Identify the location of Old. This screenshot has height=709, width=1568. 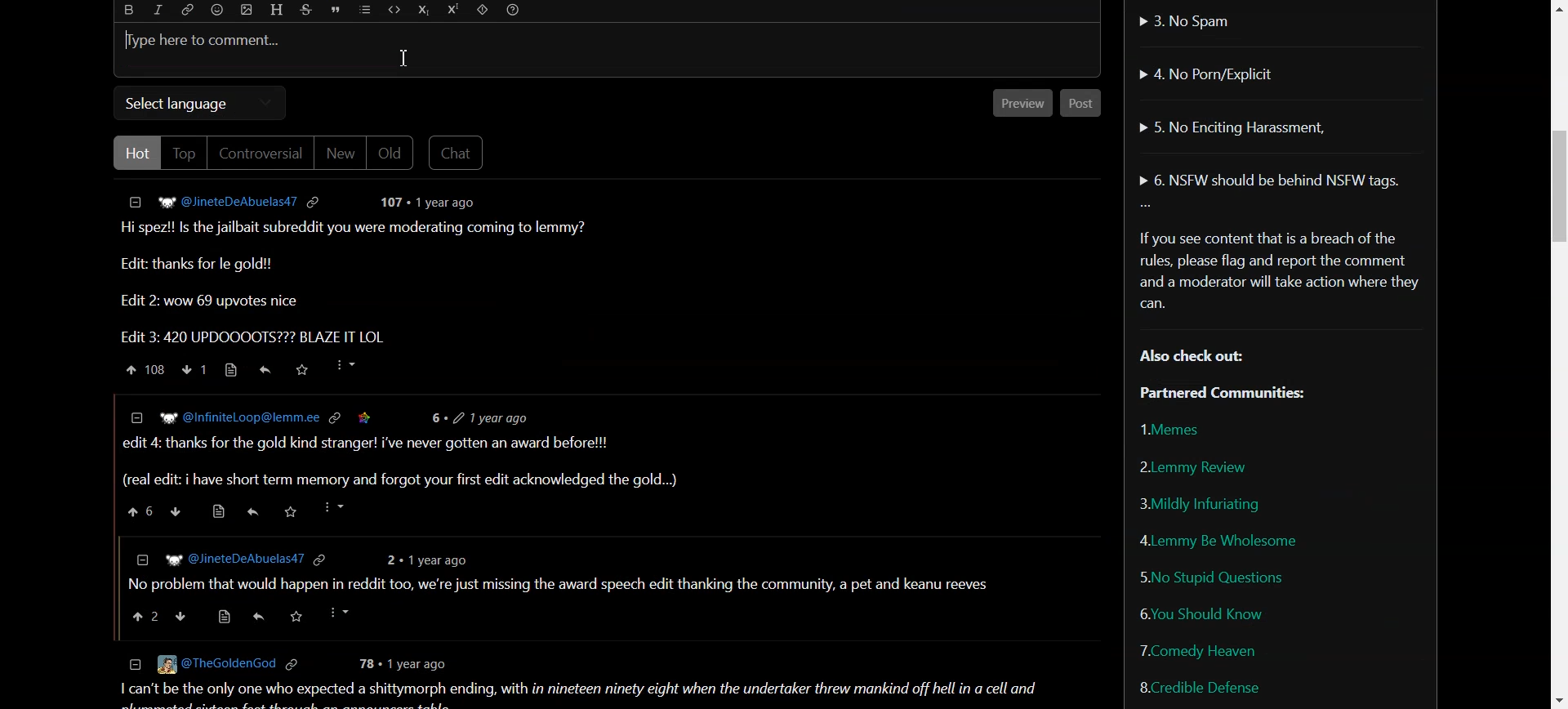
(392, 153).